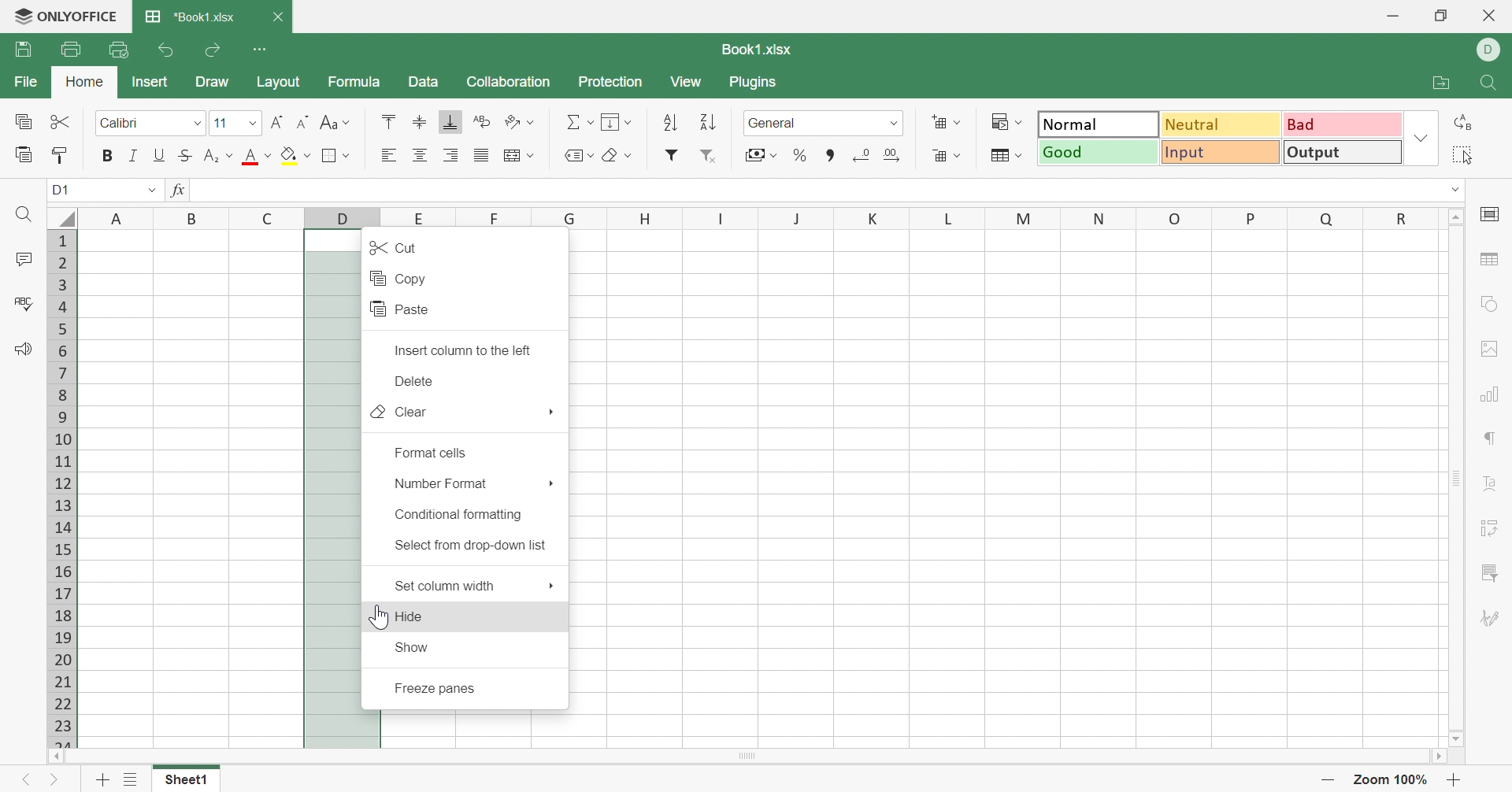 The width and height of the screenshot is (1512, 792). Describe the element at coordinates (1488, 218) in the screenshot. I see `Slide settings` at that location.